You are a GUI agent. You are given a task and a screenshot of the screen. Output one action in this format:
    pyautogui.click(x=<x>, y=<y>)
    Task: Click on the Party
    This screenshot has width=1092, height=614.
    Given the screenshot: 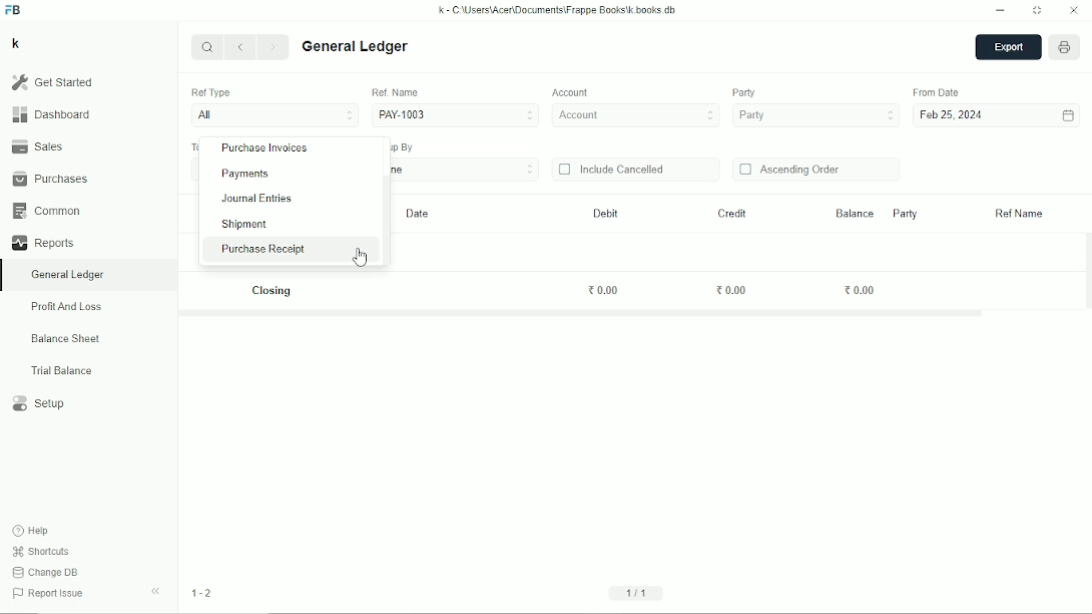 What is the action you would take?
    pyautogui.click(x=816, y=116)
    